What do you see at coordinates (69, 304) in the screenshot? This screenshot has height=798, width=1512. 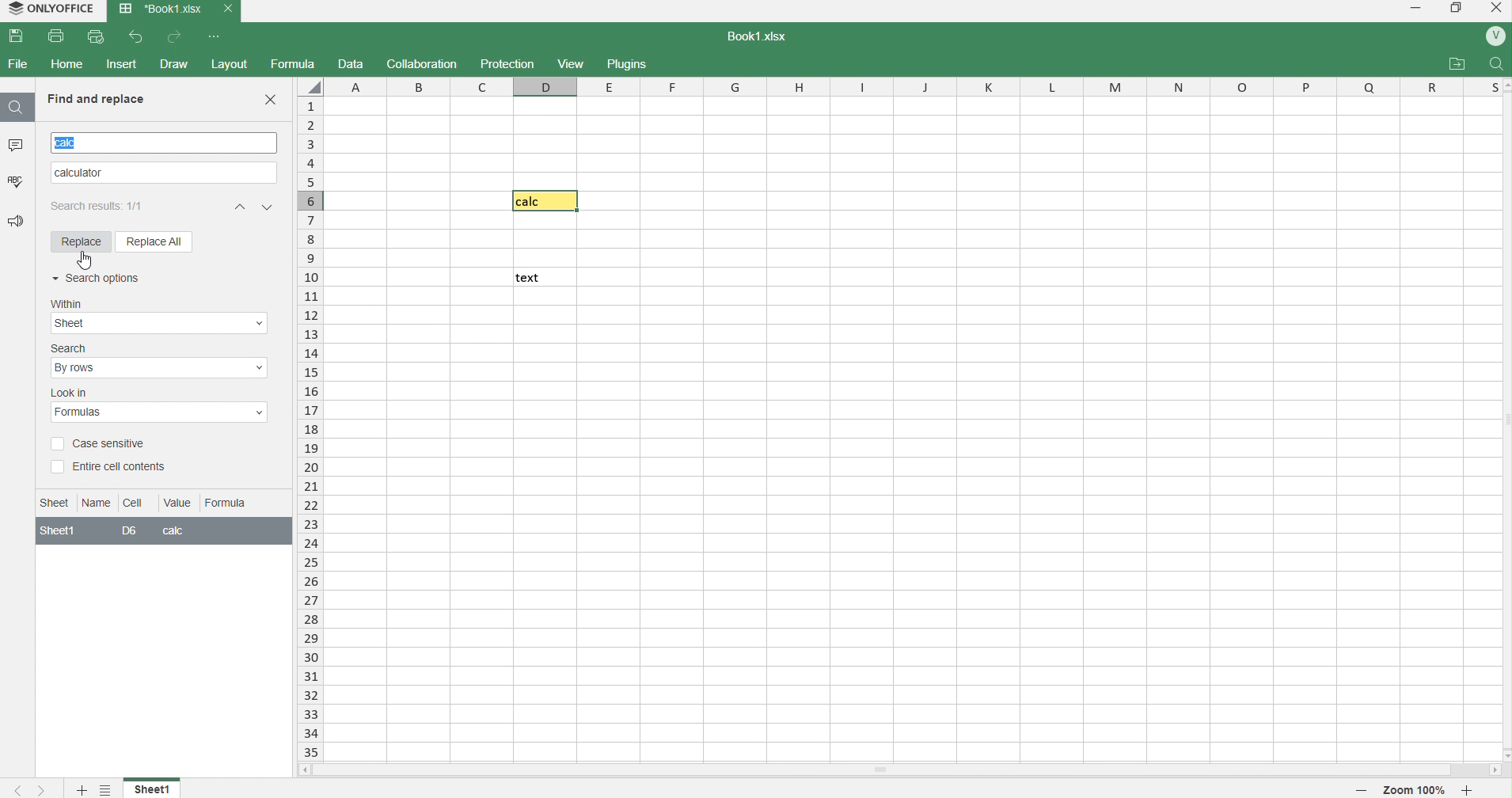 I see `within` at bounding box center [69, 304].